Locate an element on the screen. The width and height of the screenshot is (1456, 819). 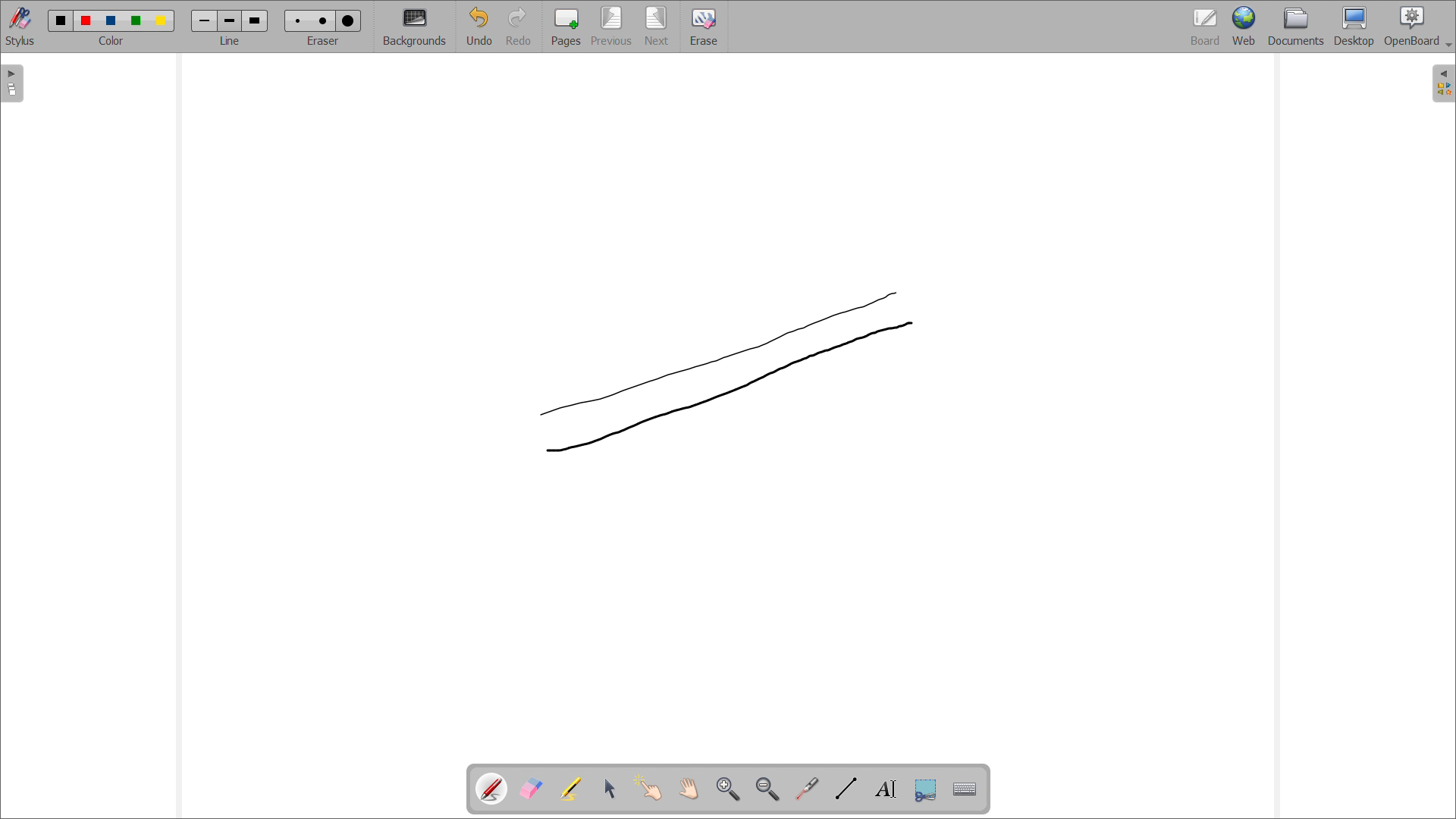
erase is located at coordinates (704, 27).